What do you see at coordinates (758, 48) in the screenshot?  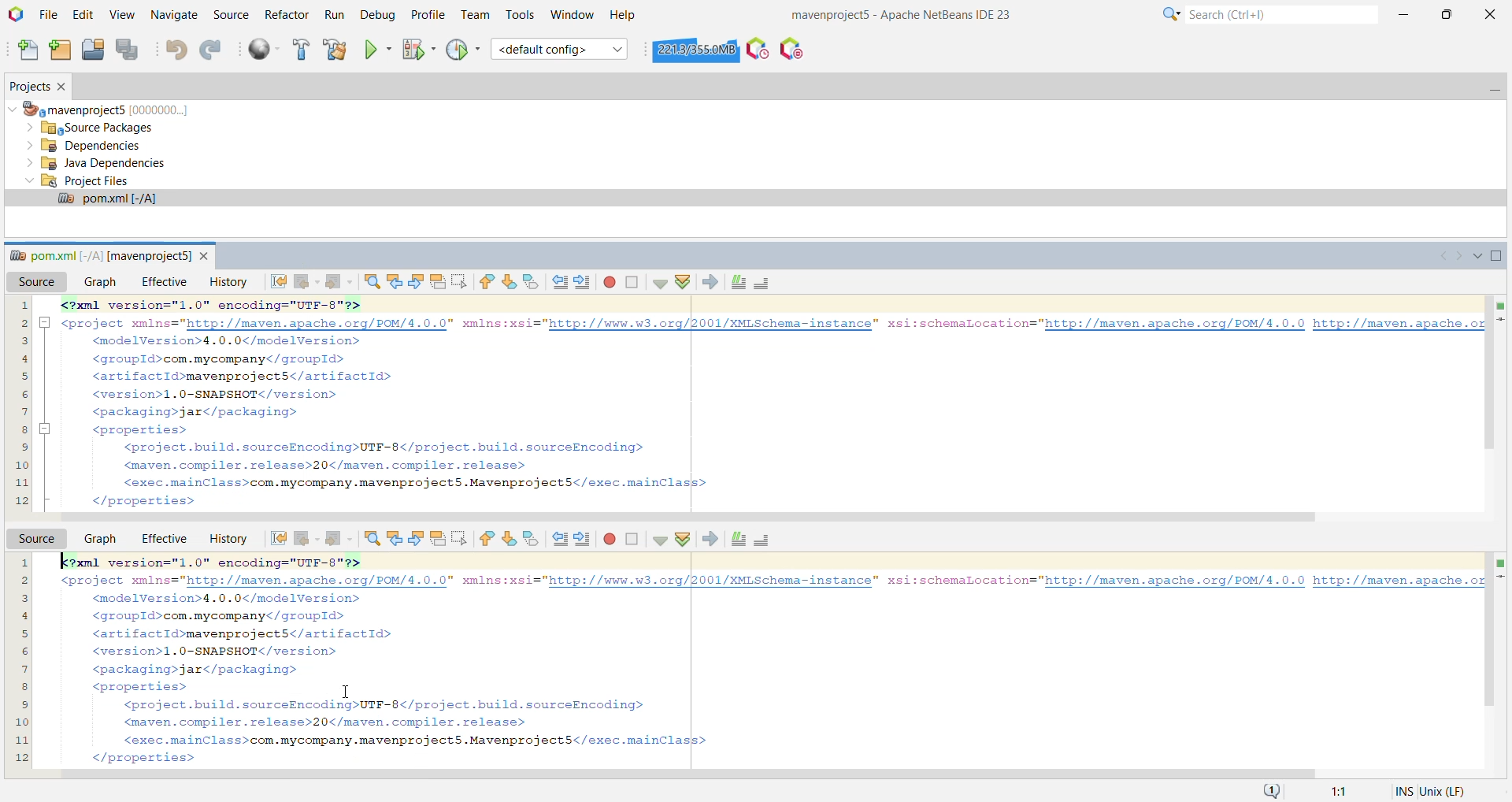 I see `Profile the IDE` at bounding box center [758, 48].